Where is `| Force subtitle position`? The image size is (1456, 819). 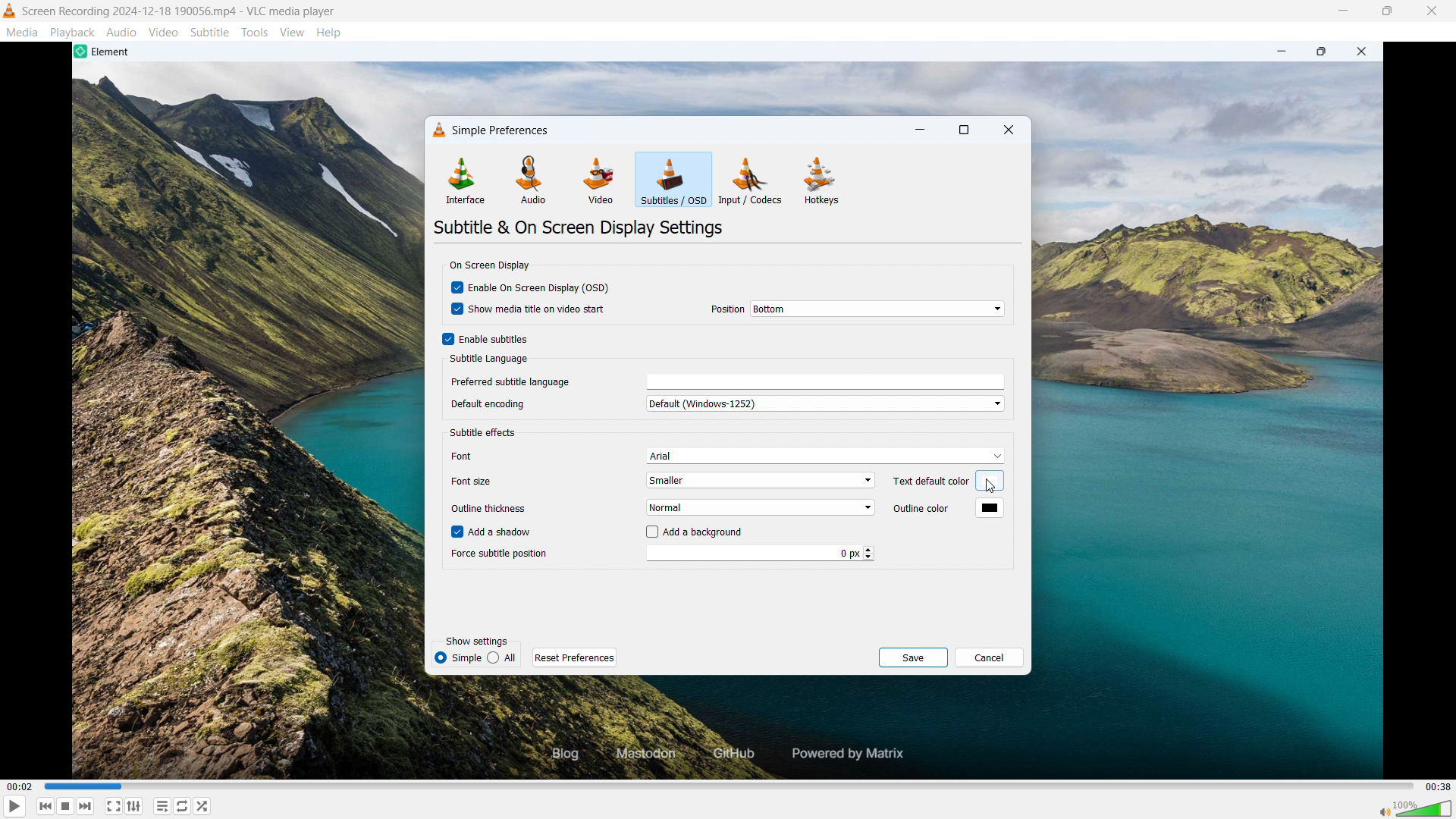 | Force subtitle position is located at coordinates (520, 553).